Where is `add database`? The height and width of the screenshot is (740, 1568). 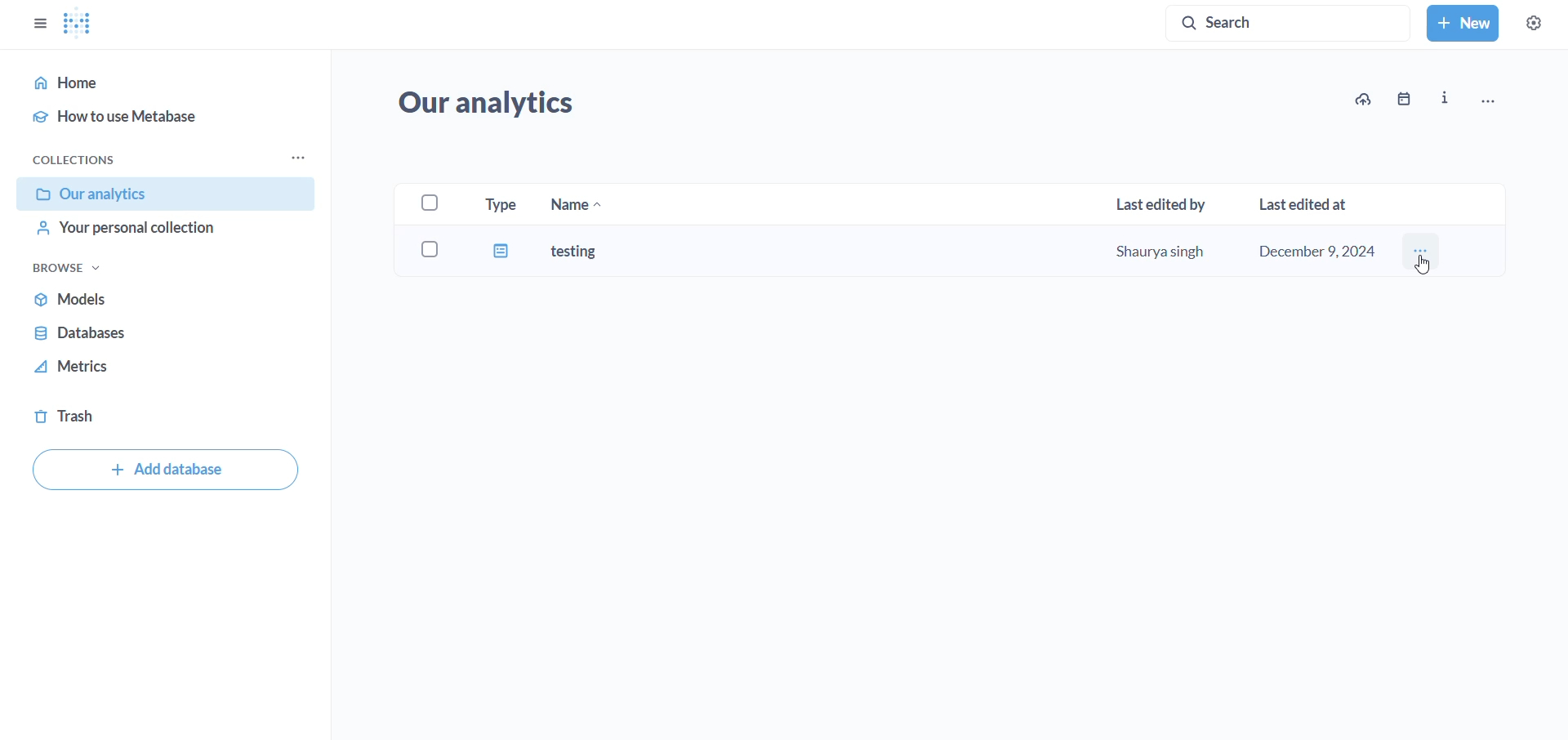
add database is located at coordinates (164, 470).